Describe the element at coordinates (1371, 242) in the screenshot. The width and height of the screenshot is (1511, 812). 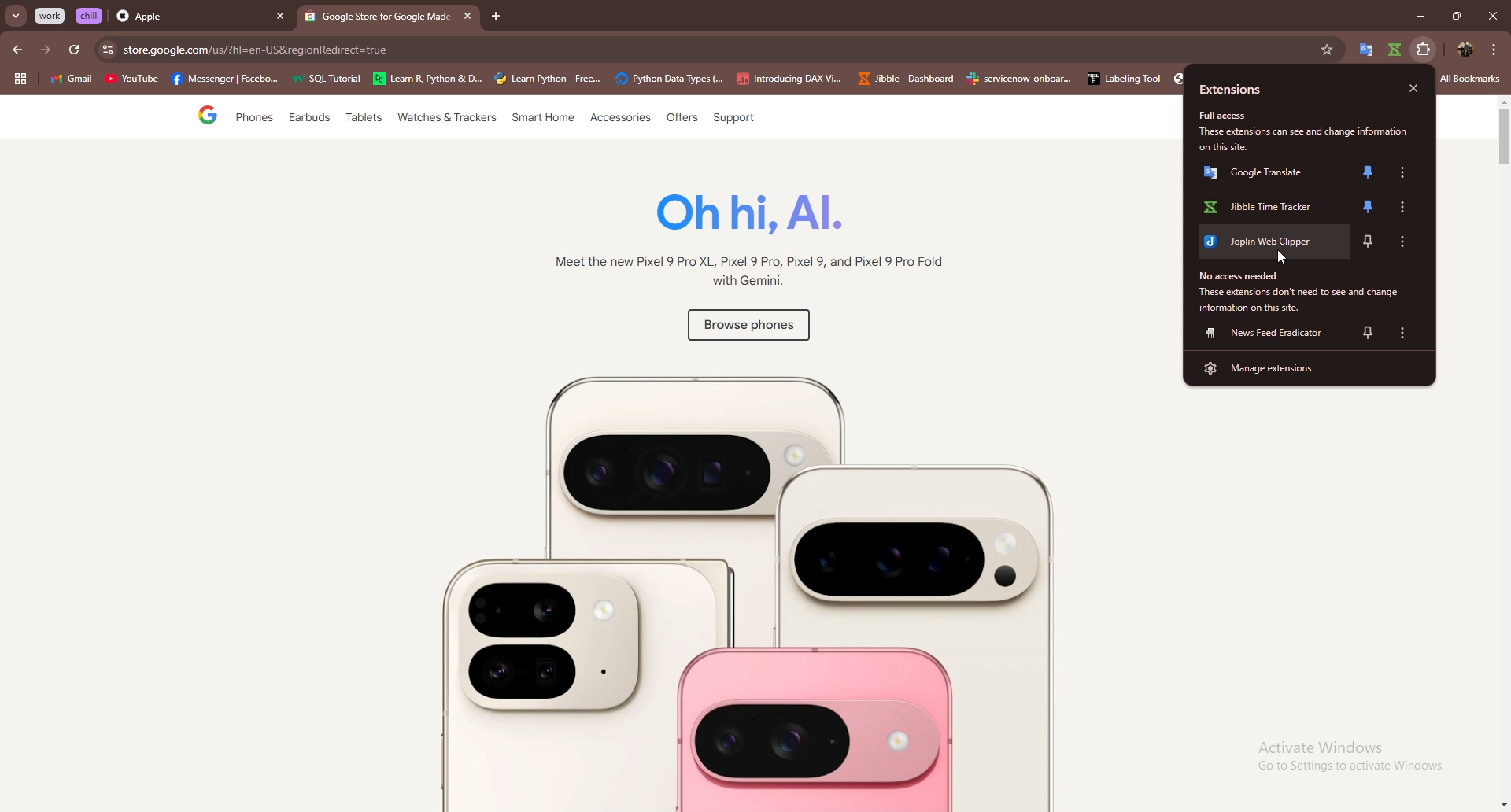
I see `unpin/pin` at that location.